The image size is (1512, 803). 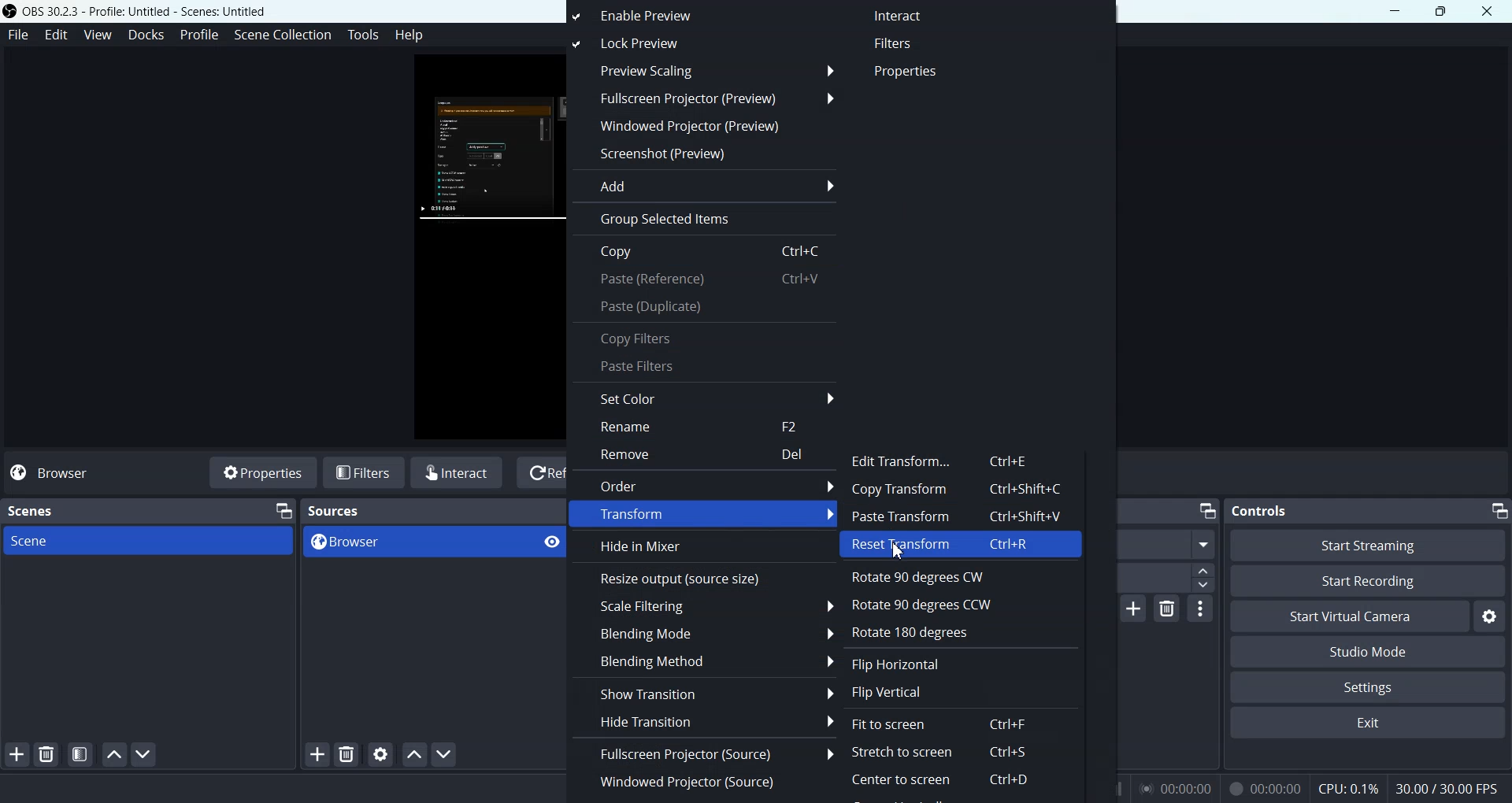 I want to click on Edit, so click(x=57, y=34).